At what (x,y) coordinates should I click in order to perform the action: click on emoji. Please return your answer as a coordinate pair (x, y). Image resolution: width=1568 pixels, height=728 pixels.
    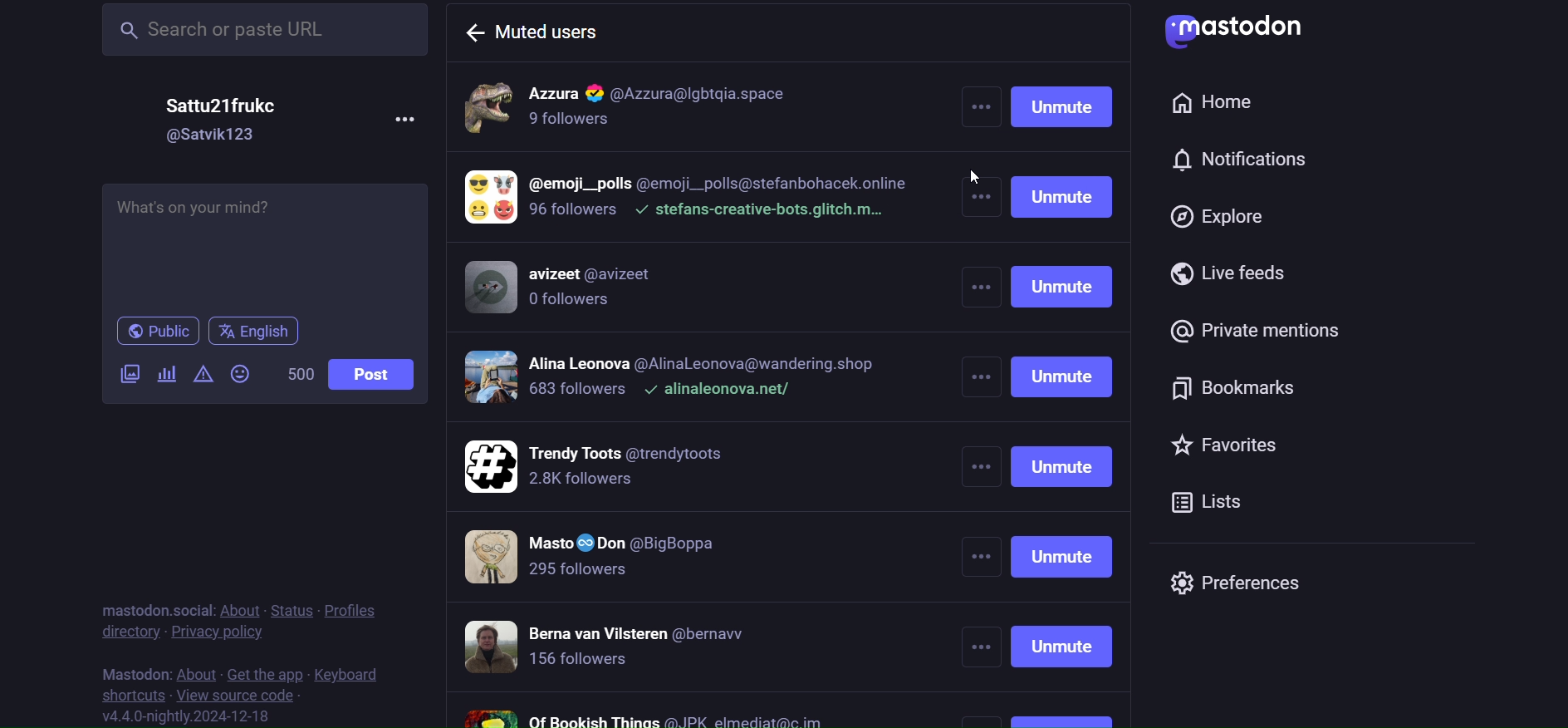
    Looking at the image, I should click on (244, 373).